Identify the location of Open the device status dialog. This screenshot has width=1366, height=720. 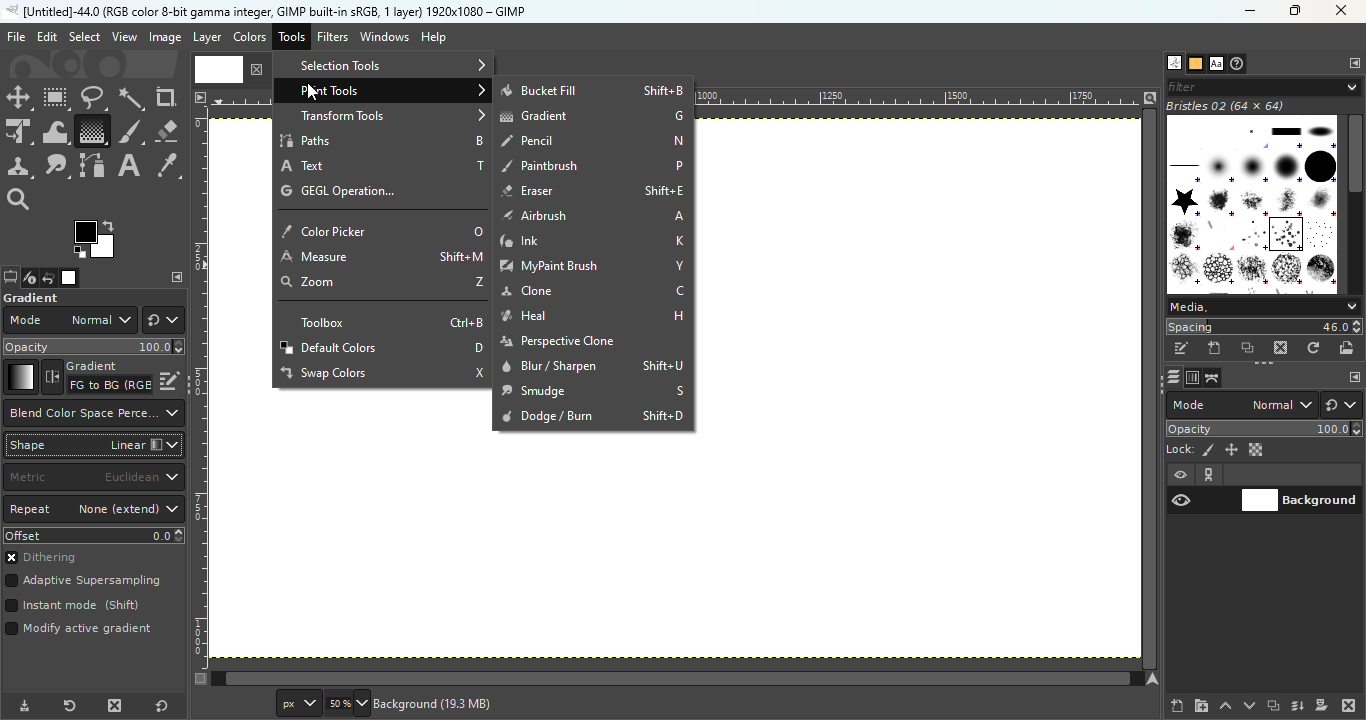
(28, 279).